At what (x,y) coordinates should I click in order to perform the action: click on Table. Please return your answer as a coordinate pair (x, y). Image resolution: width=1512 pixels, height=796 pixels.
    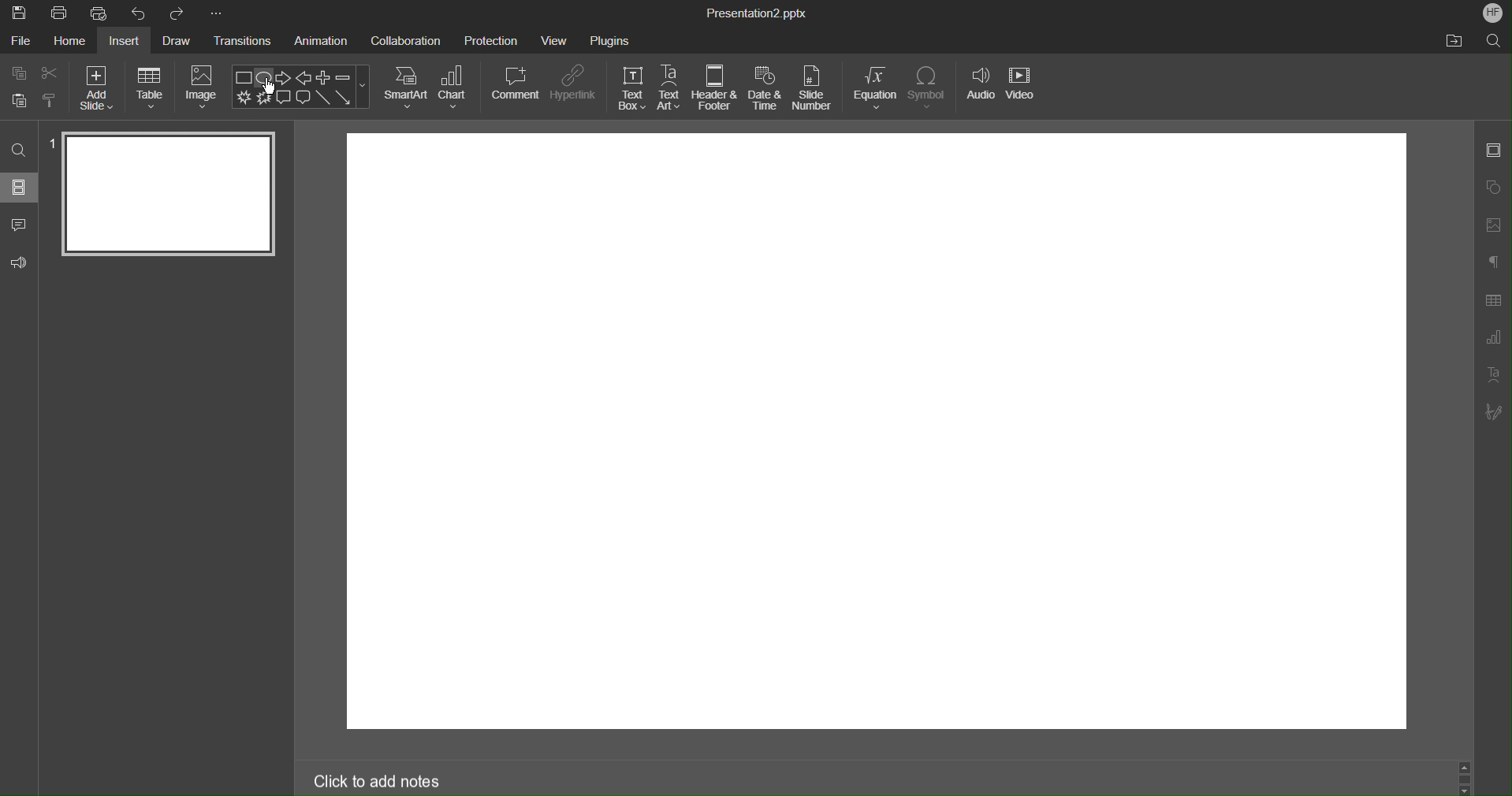
    Looking at the image, I should click on (150, 87).